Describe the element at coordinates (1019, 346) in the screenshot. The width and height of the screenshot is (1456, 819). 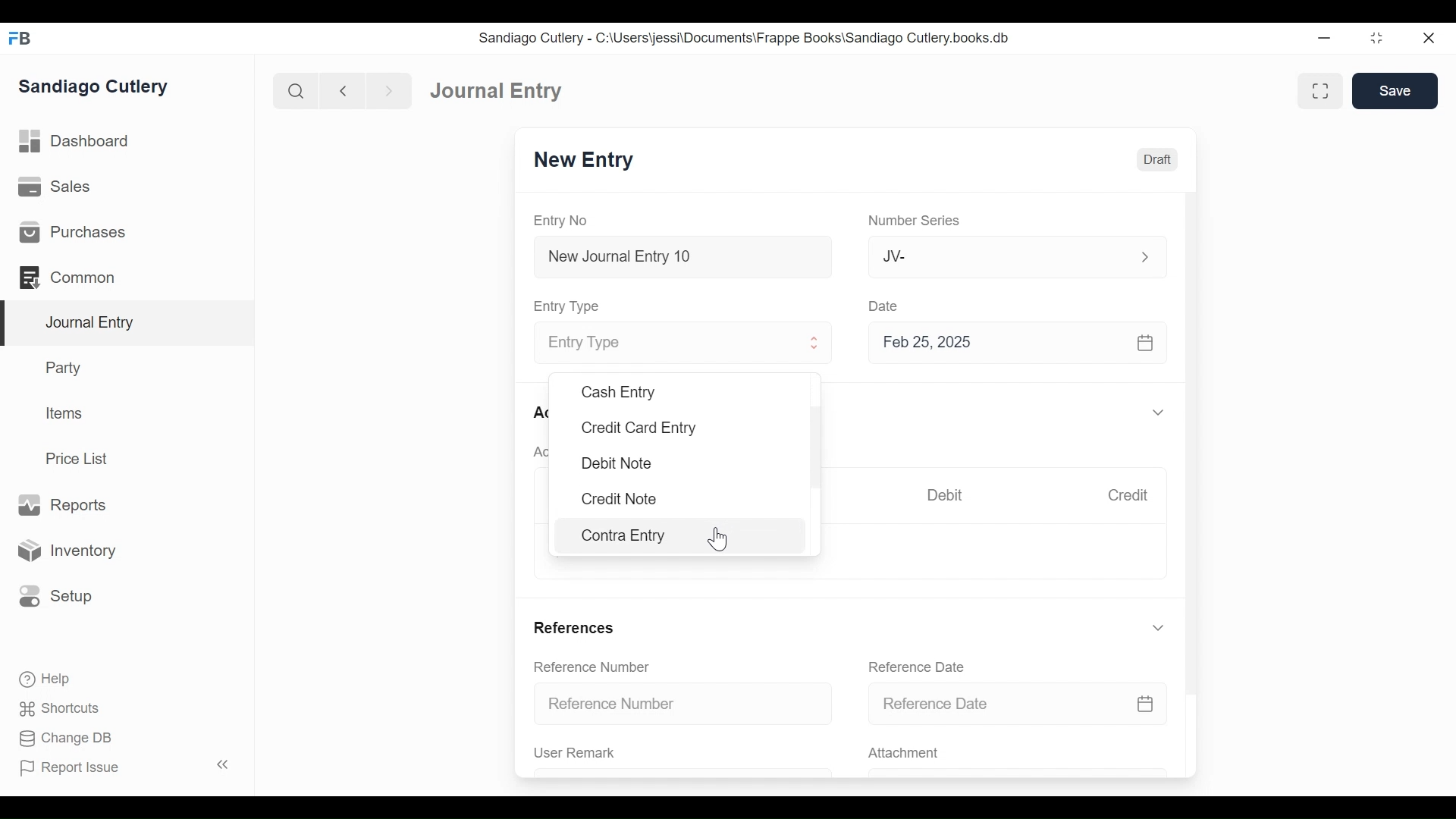
I see `Feb 25, 2025` at that location.